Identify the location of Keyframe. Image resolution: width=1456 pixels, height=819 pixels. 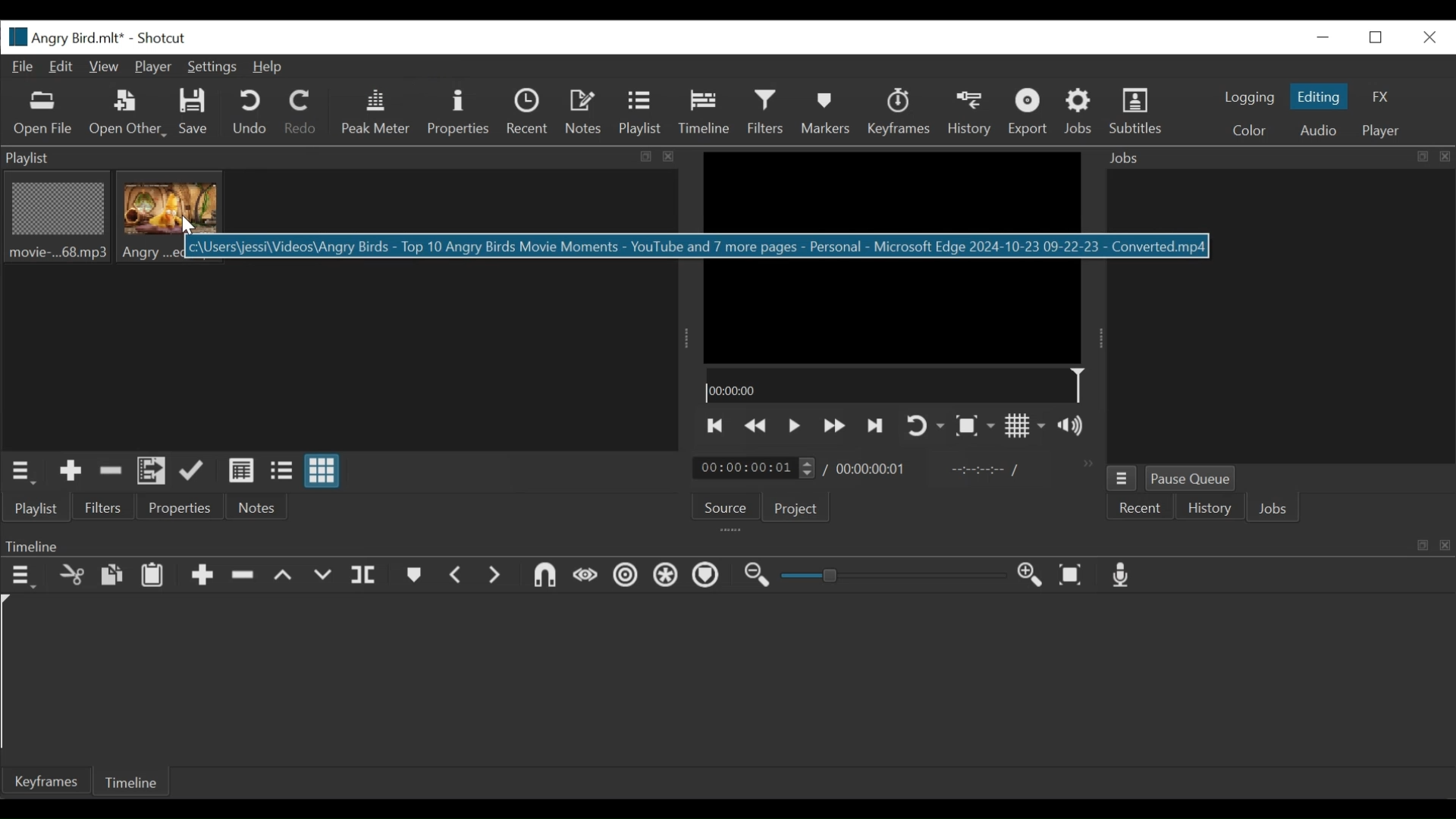
(42, 780).